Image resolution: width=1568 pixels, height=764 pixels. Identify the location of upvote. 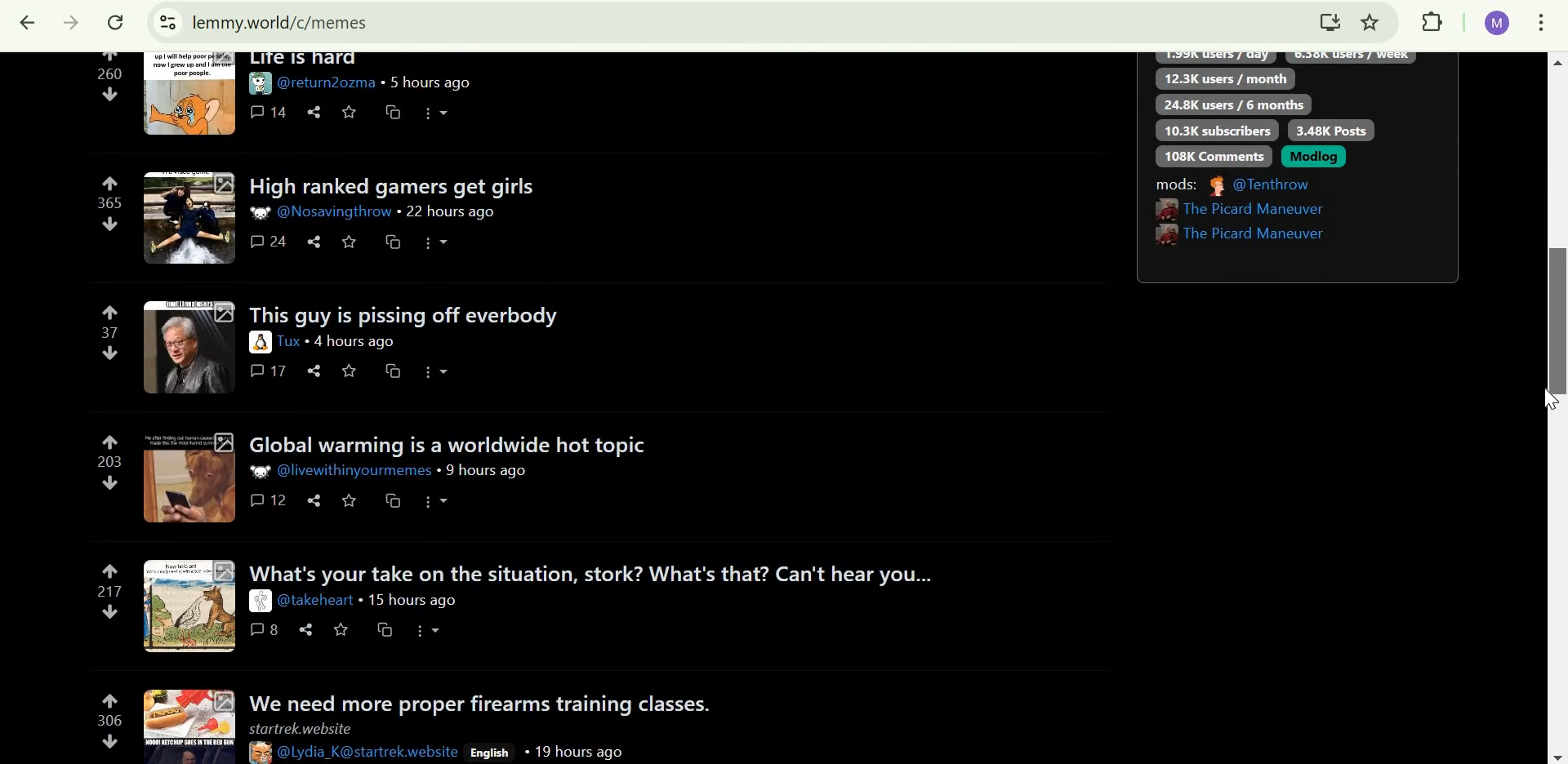
(111, 697).